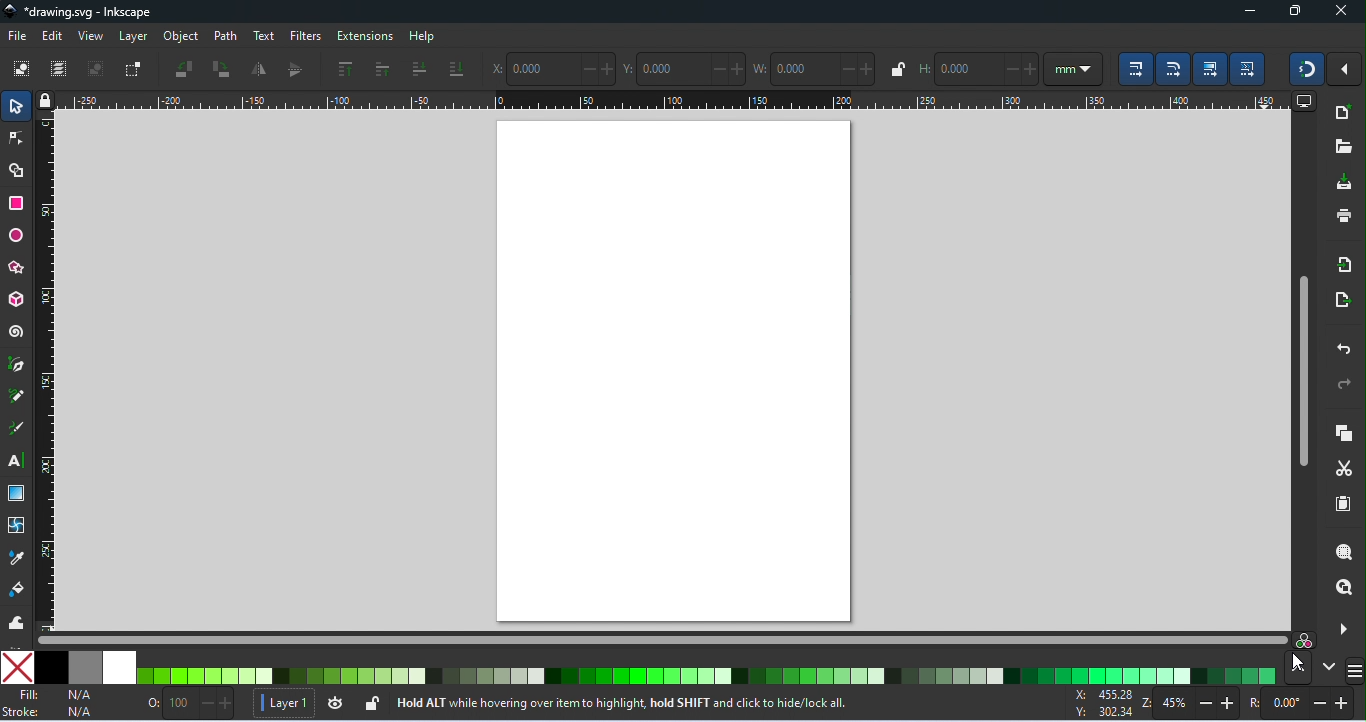  I want to click on spiral, so click(17, 330).